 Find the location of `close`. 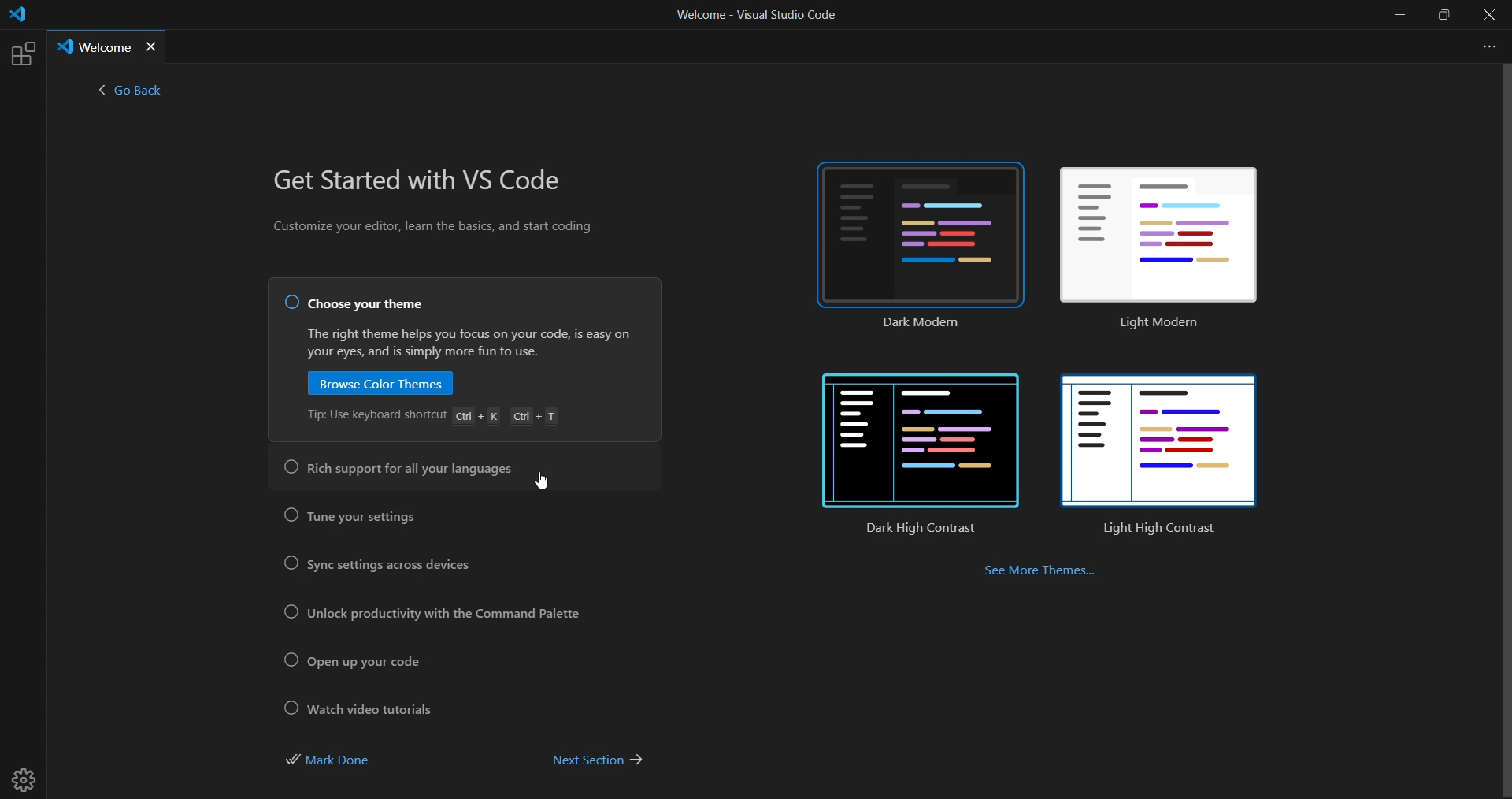

close is located at coordinates (1490, 16).